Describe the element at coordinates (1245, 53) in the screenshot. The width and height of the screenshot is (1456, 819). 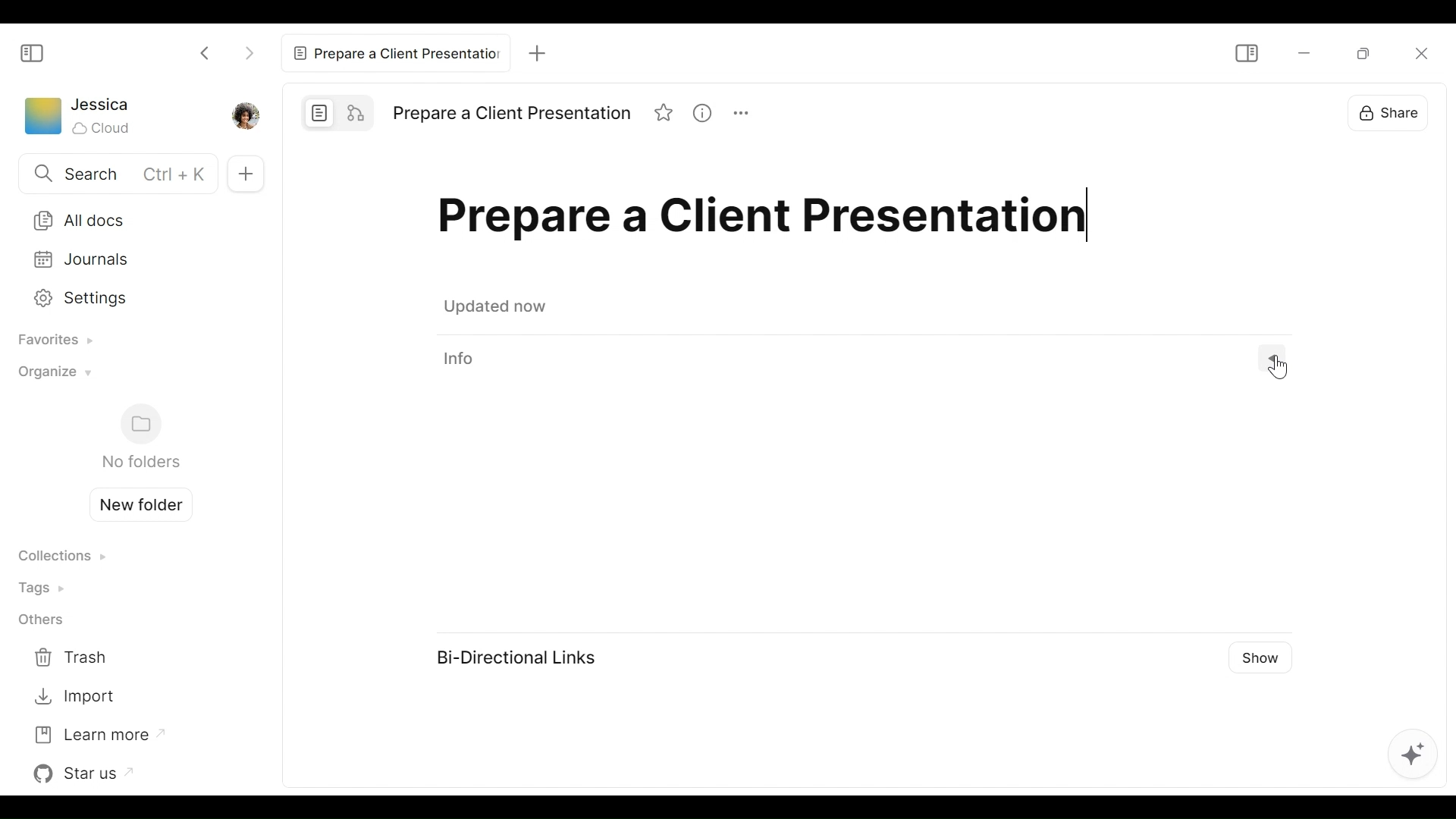
I see `Show/Hide Sidebar` at that location.